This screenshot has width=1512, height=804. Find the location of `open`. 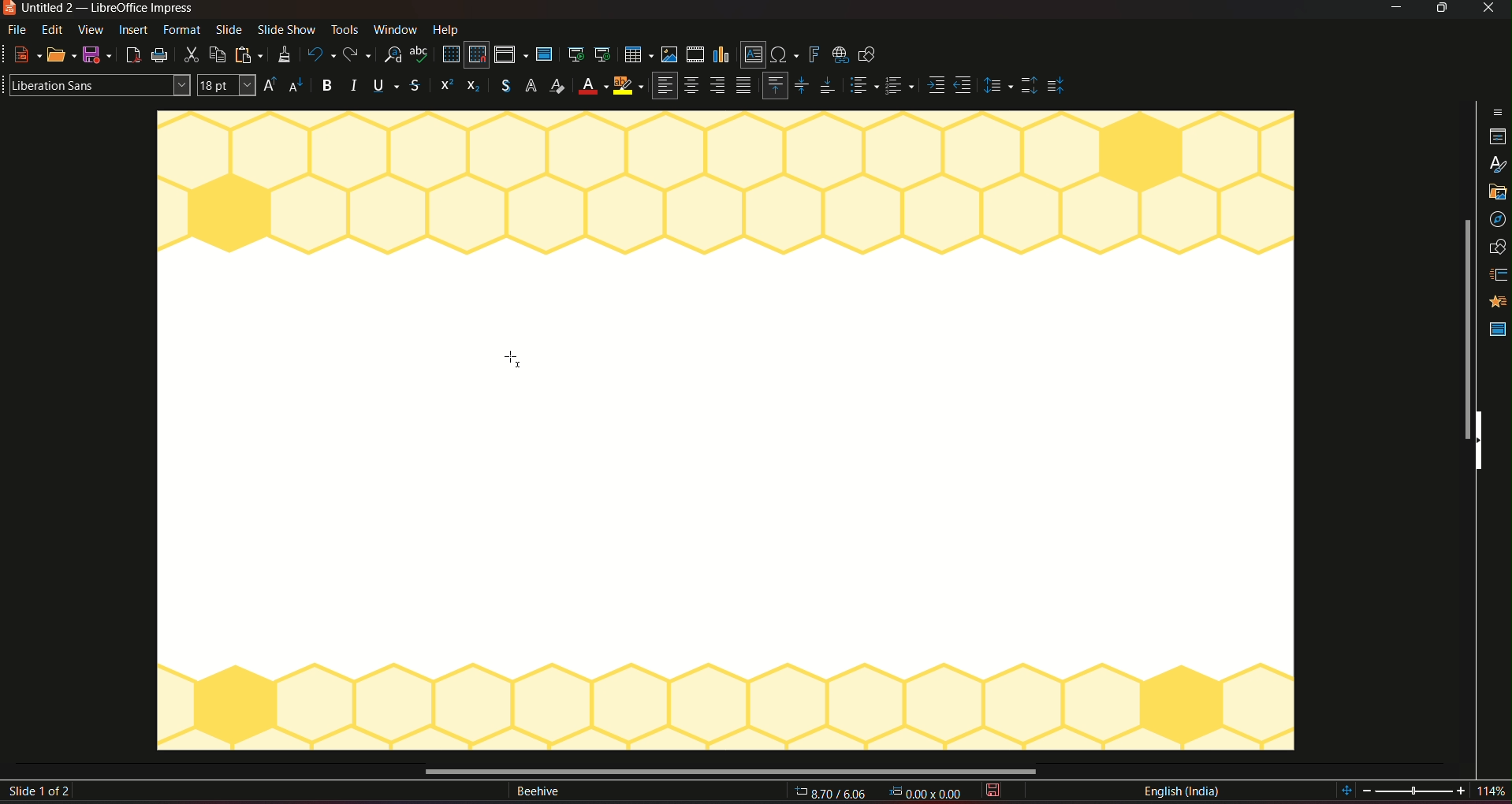

open is located at coordinates (62, 53).